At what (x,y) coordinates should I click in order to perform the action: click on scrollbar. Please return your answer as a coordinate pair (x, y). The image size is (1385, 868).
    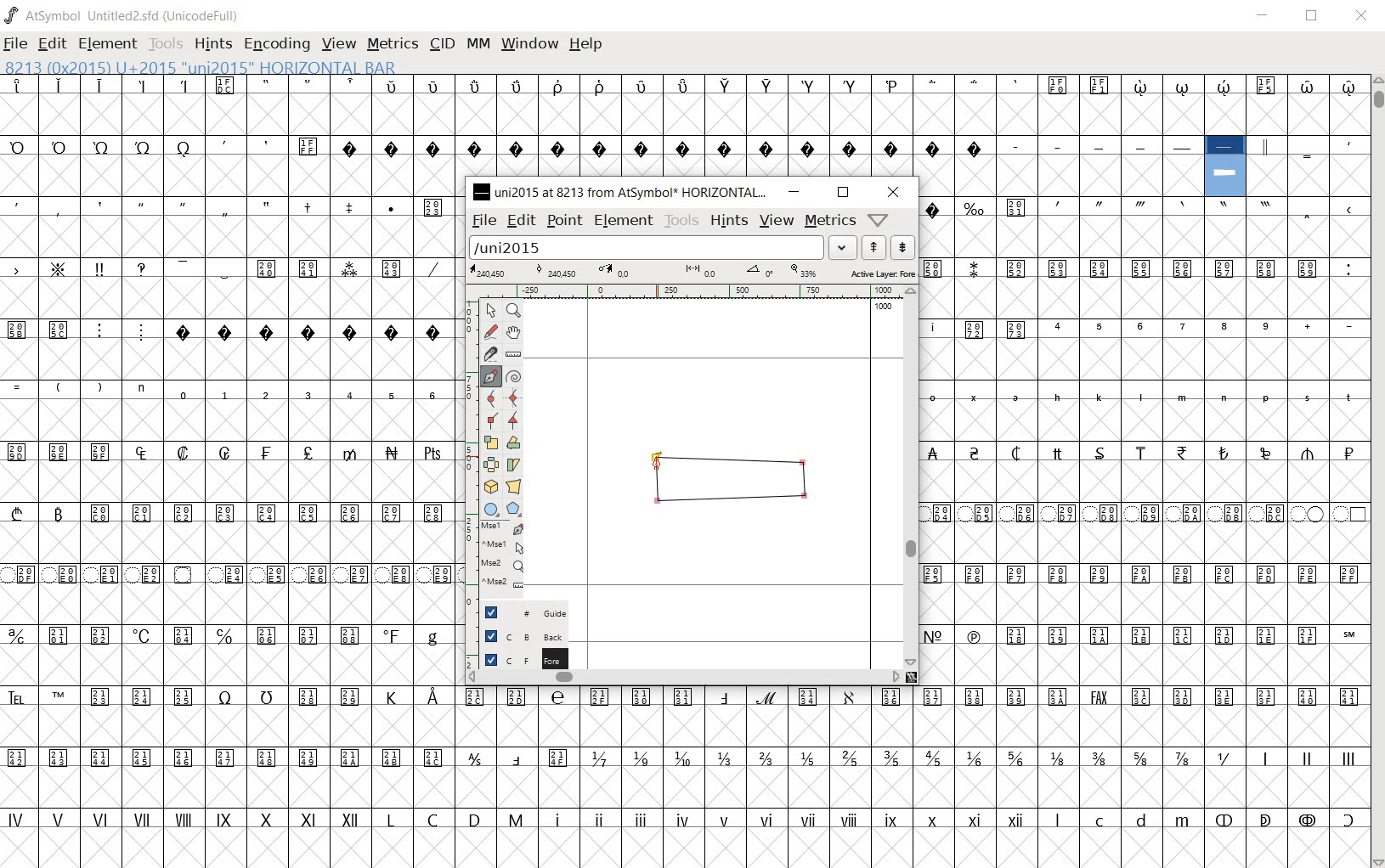
    Looking at the image, I should click on (914, 478).